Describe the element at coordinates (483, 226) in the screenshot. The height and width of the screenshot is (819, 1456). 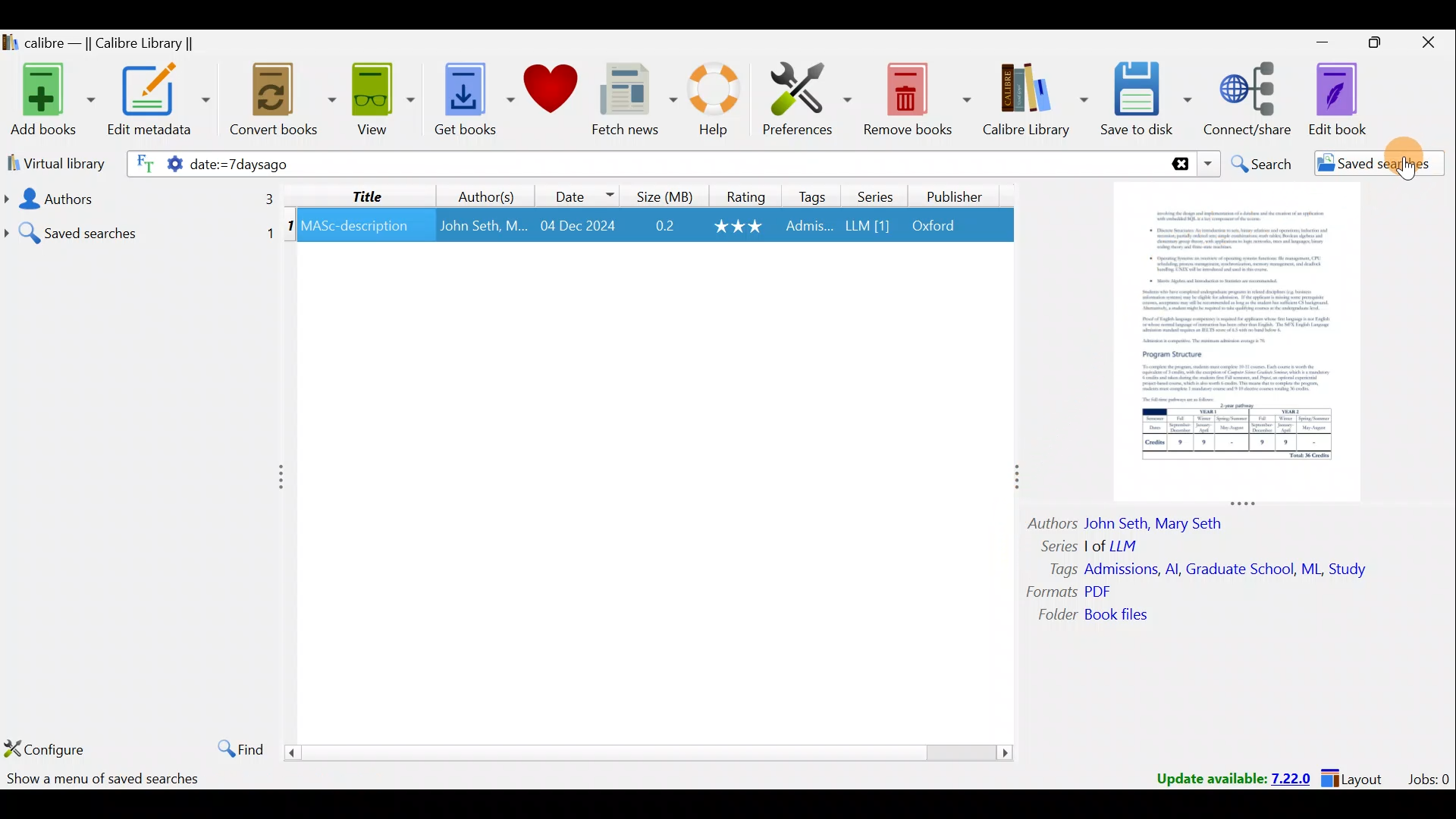
I see `John Seth, M...` at that location.